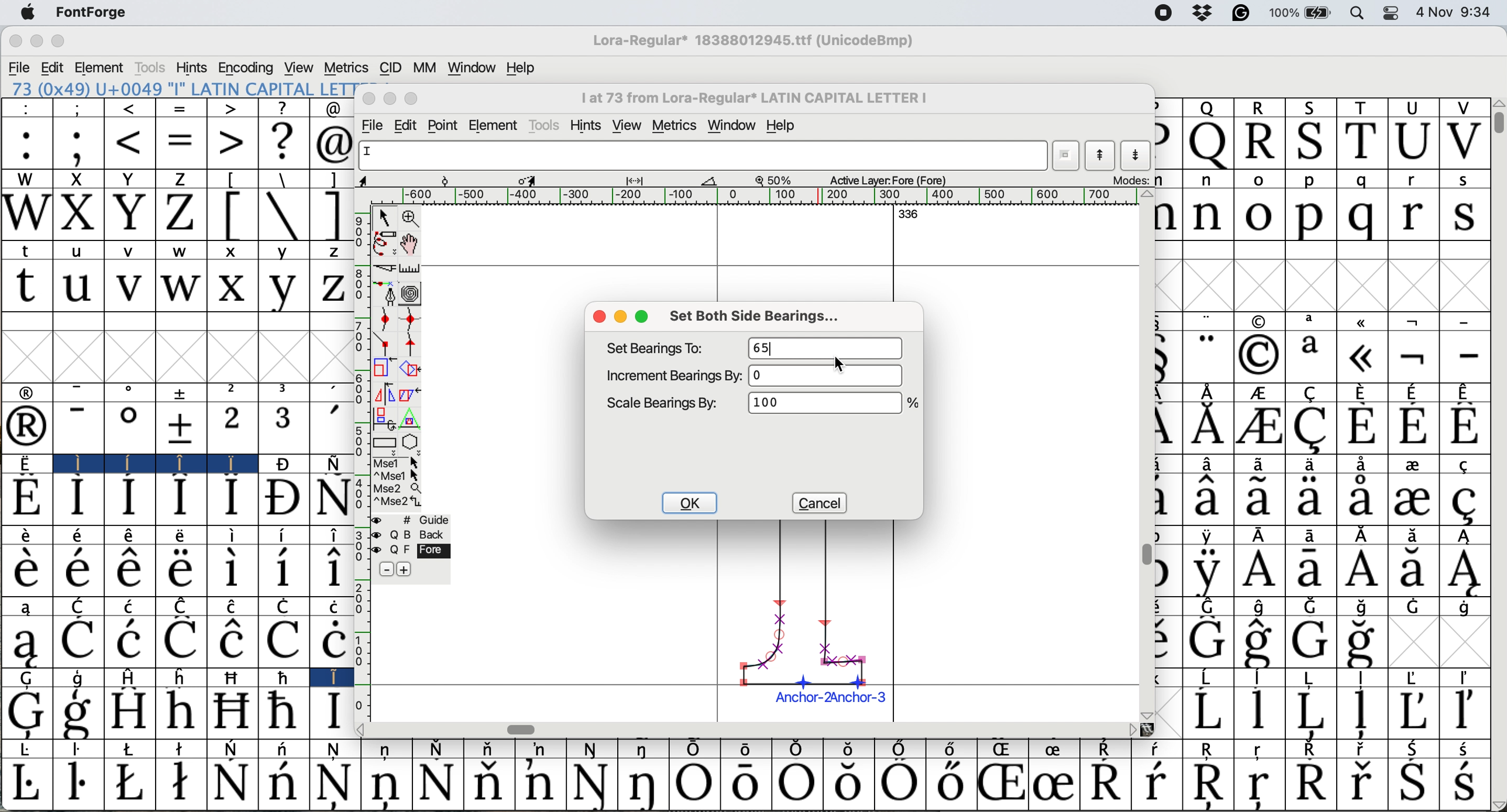 The image size is (1507, 812). Describe the element at coordinates (1150, 729) in the screenshot. I see `` at that location.